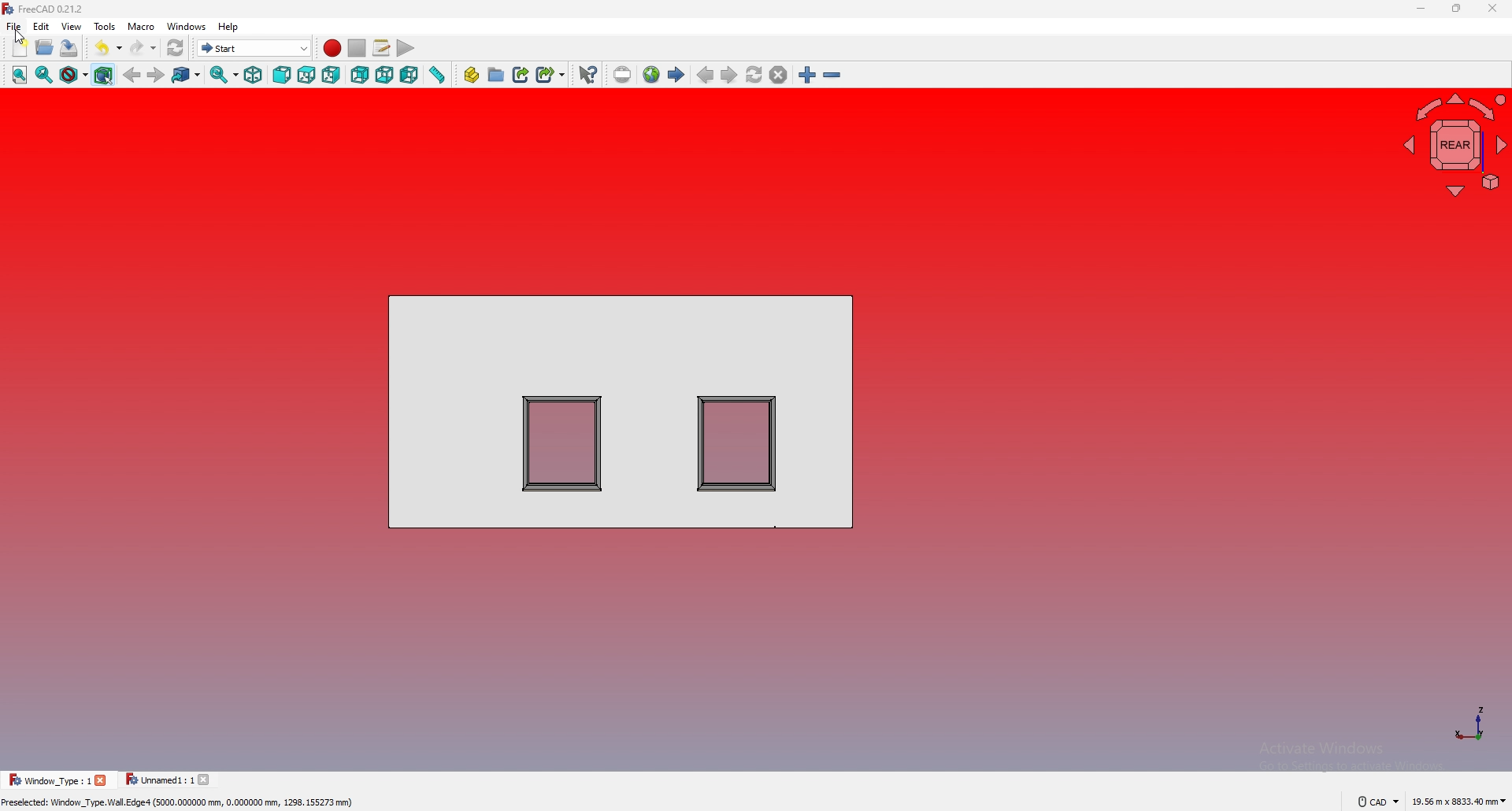 The image size is (1512, 811). What do you see at coordinates (1456, 9) in the screenshot?
I see `resize` at bounding box center [1456, 9].